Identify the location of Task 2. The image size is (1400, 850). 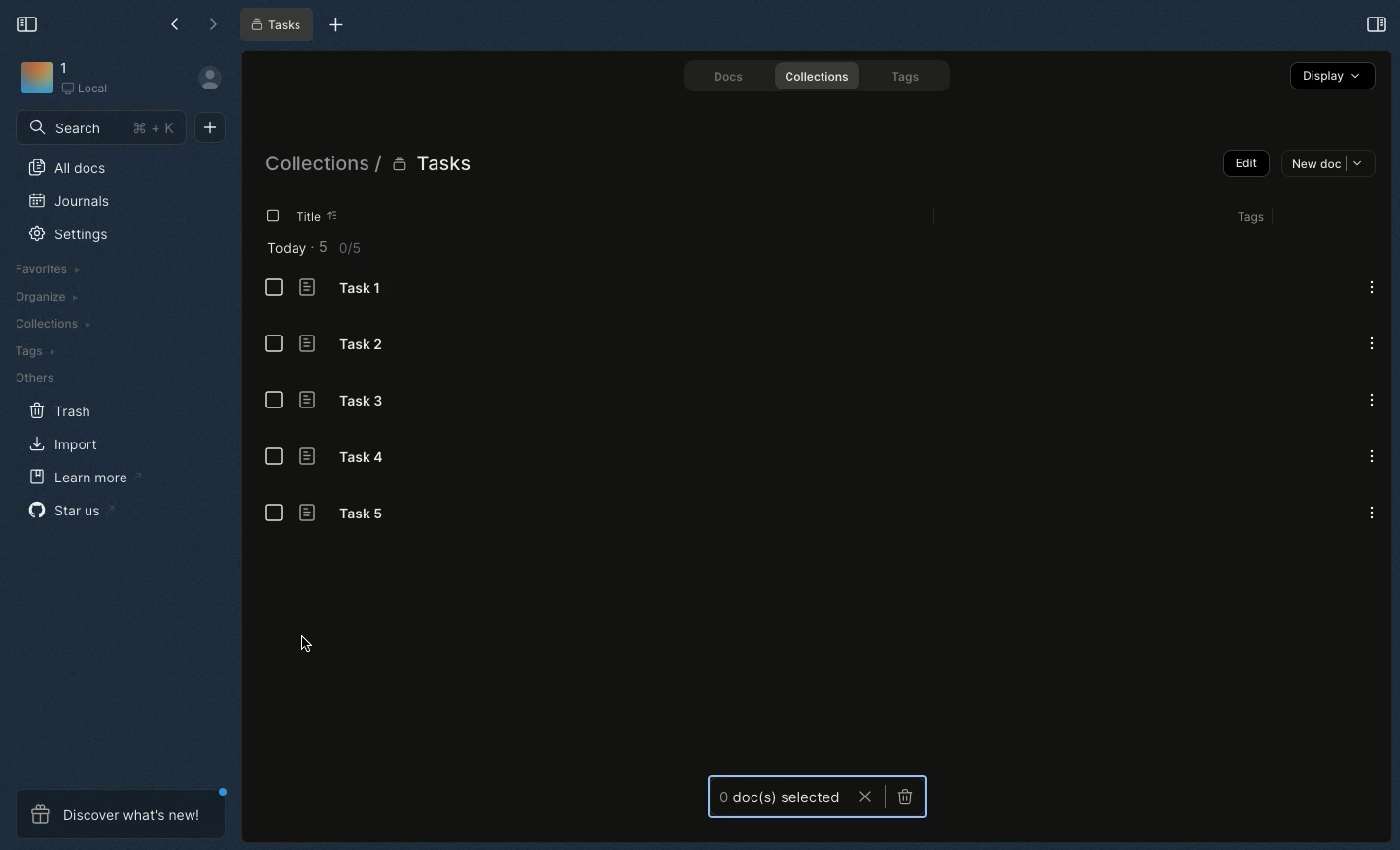
(352, 344).